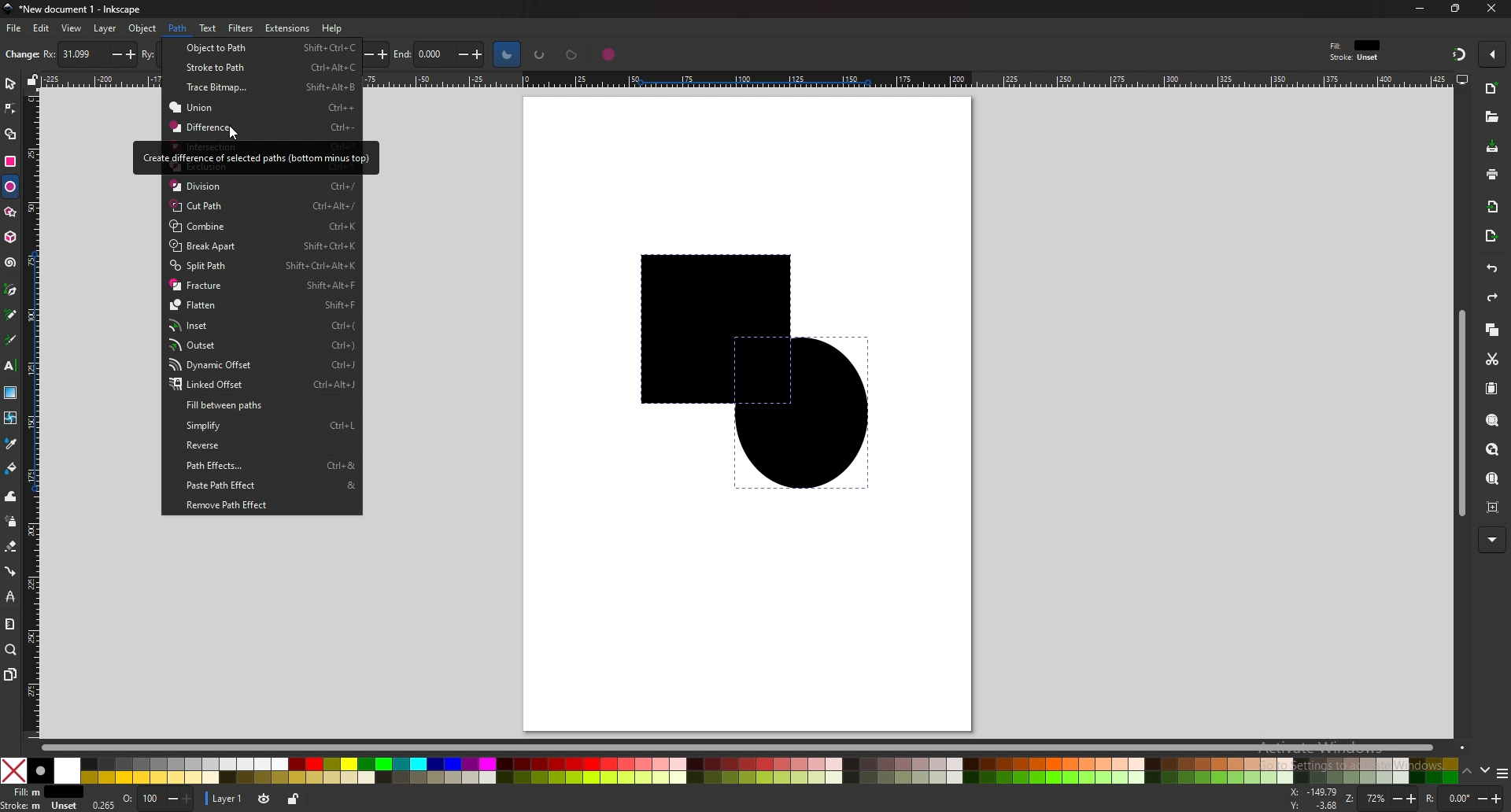 The height and width of the screenshot is (812, 1511). Describe the element at coordinates (159, 800) in the screenshot. I see `opacity` at that location.